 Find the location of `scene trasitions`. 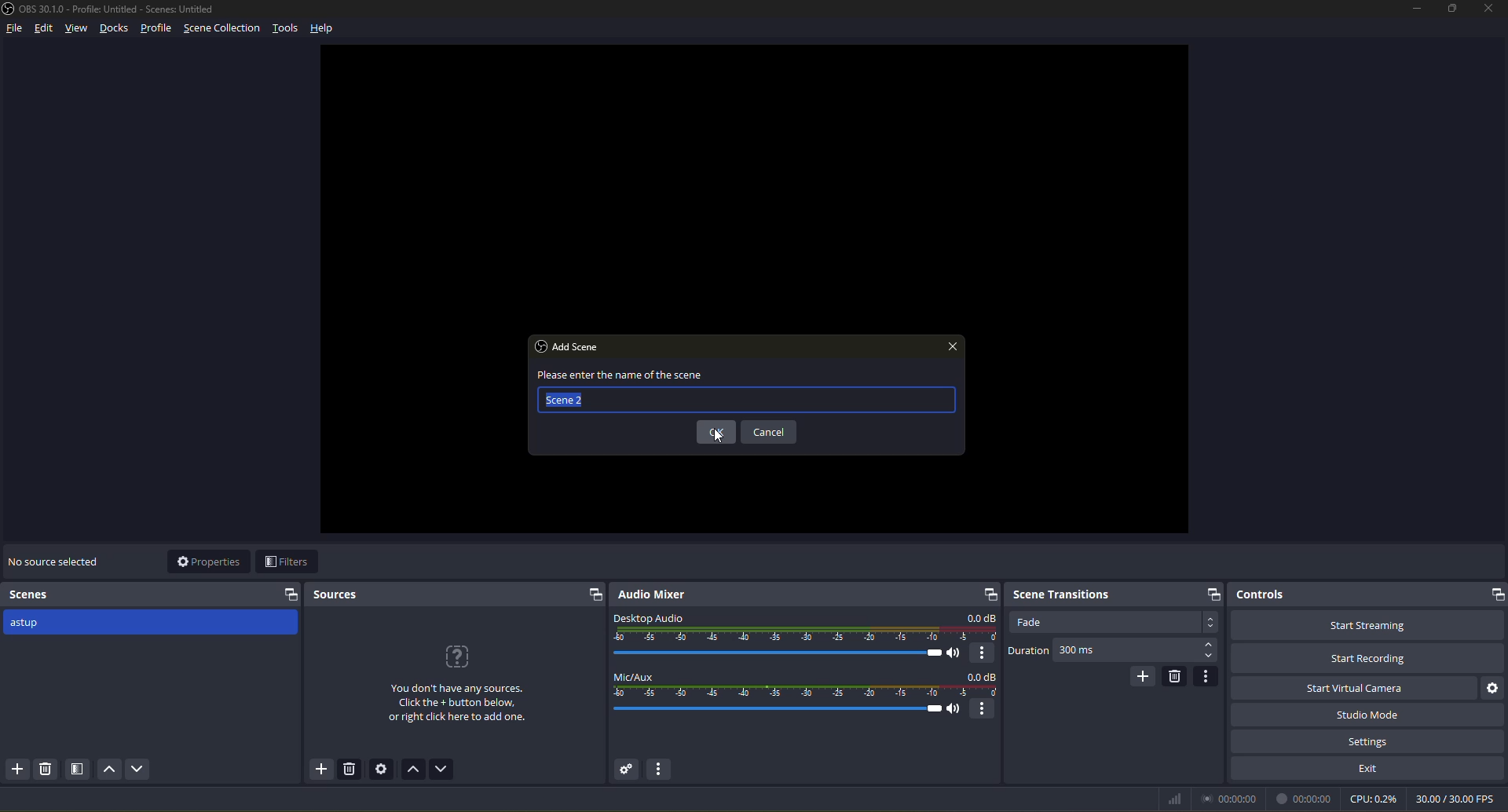

scene trasitions is located at coordinates (1060, 594).